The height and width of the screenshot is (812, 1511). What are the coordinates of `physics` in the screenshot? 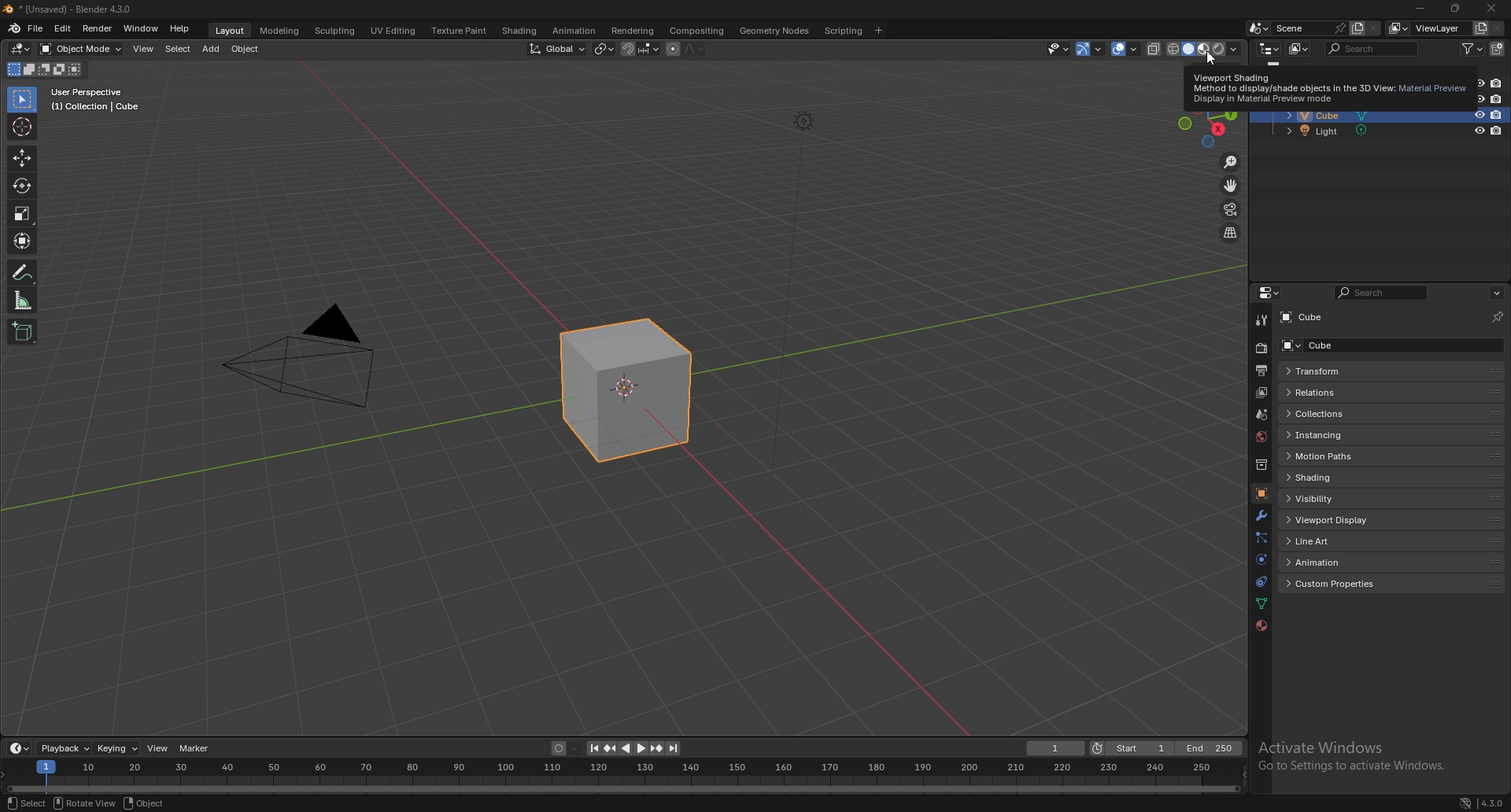 It's located at (1262, 559).